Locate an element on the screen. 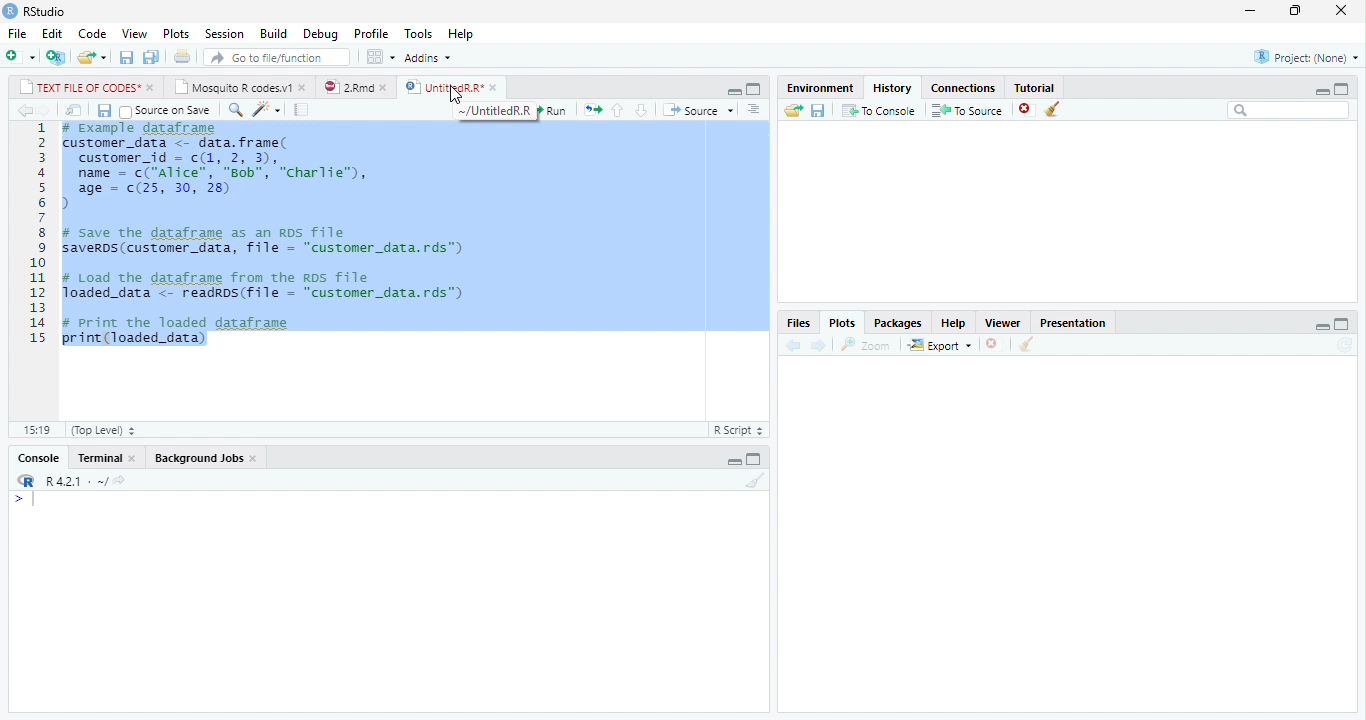 The width and height of the screenshot is (1366, 720). close is located at coordinates (134, 459).